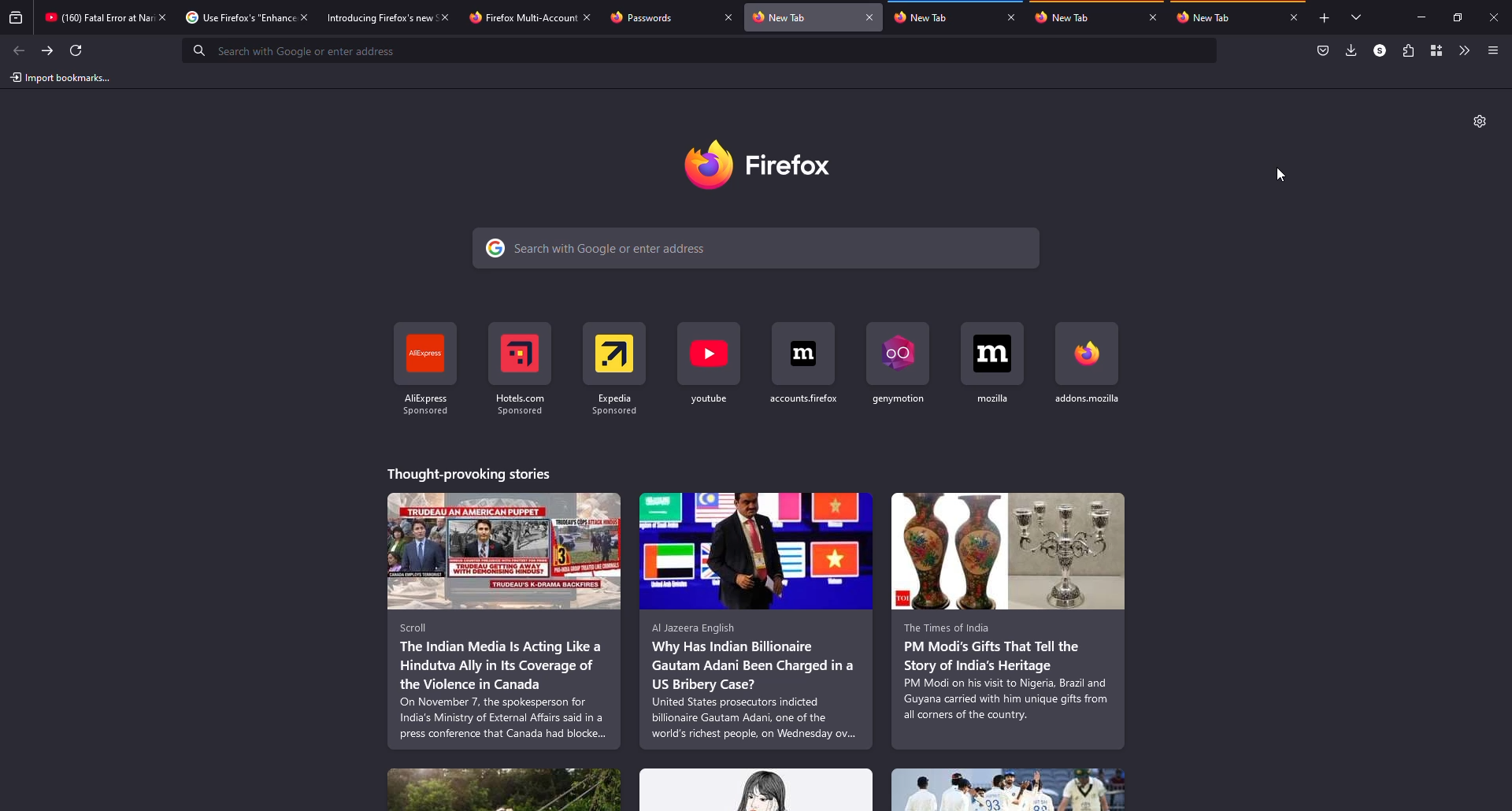  I want to click on refresh, so click(79, 50).